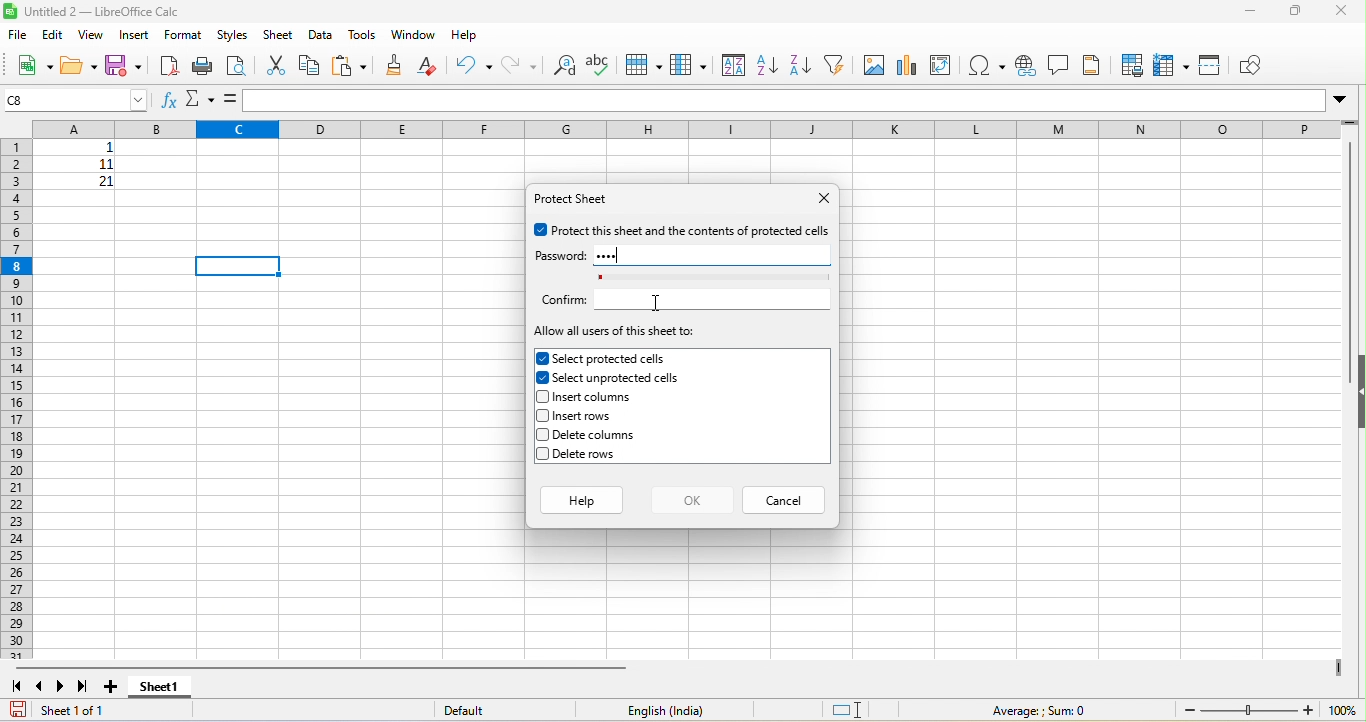 The image size is (1366, 722). I want to click on pivot table, so click(942, 64).